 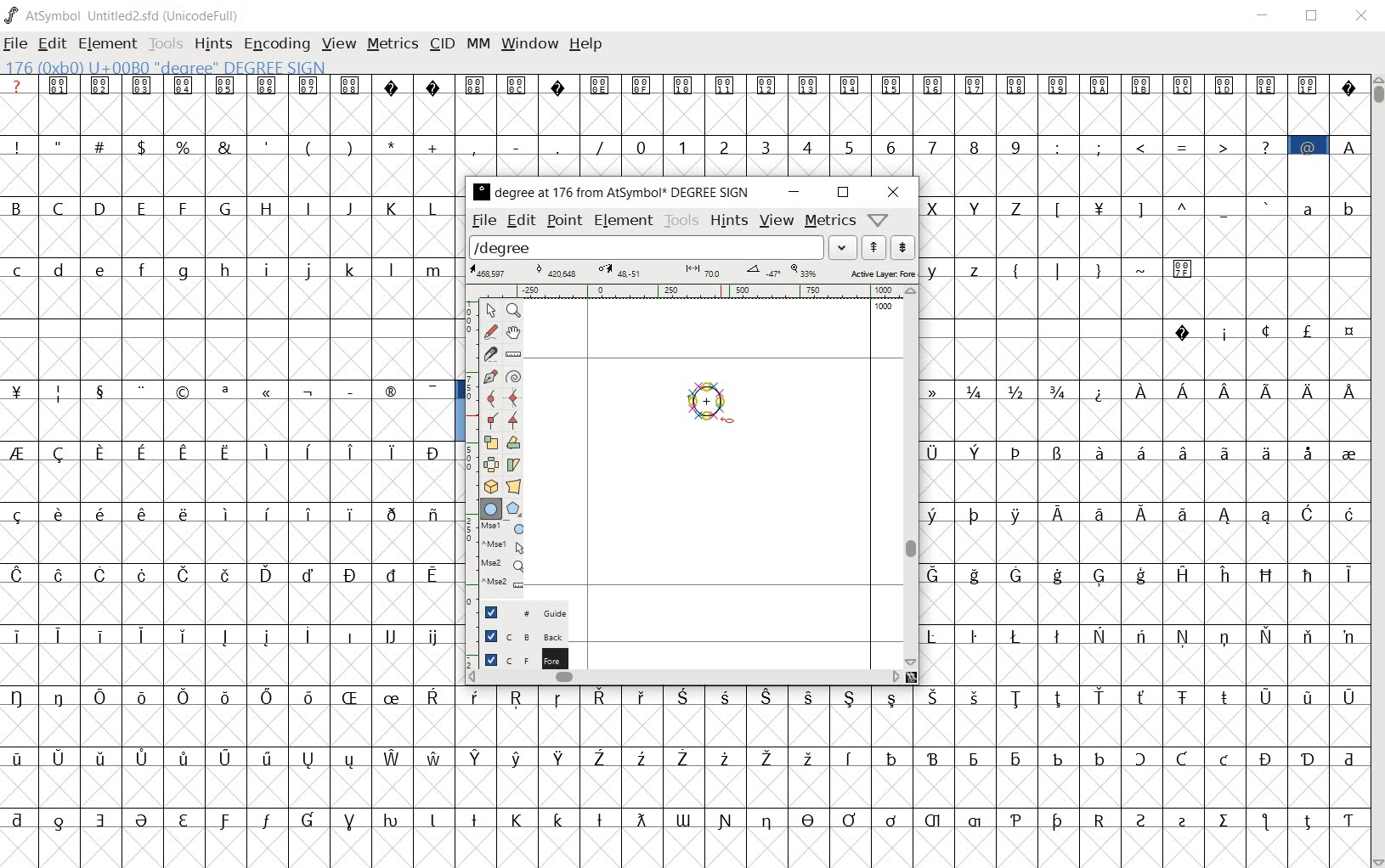 What do you see at coordinates (727, 421) in the screenshot?
I see `Ellipse tool/cursor location` at bounding box center [727, 421].